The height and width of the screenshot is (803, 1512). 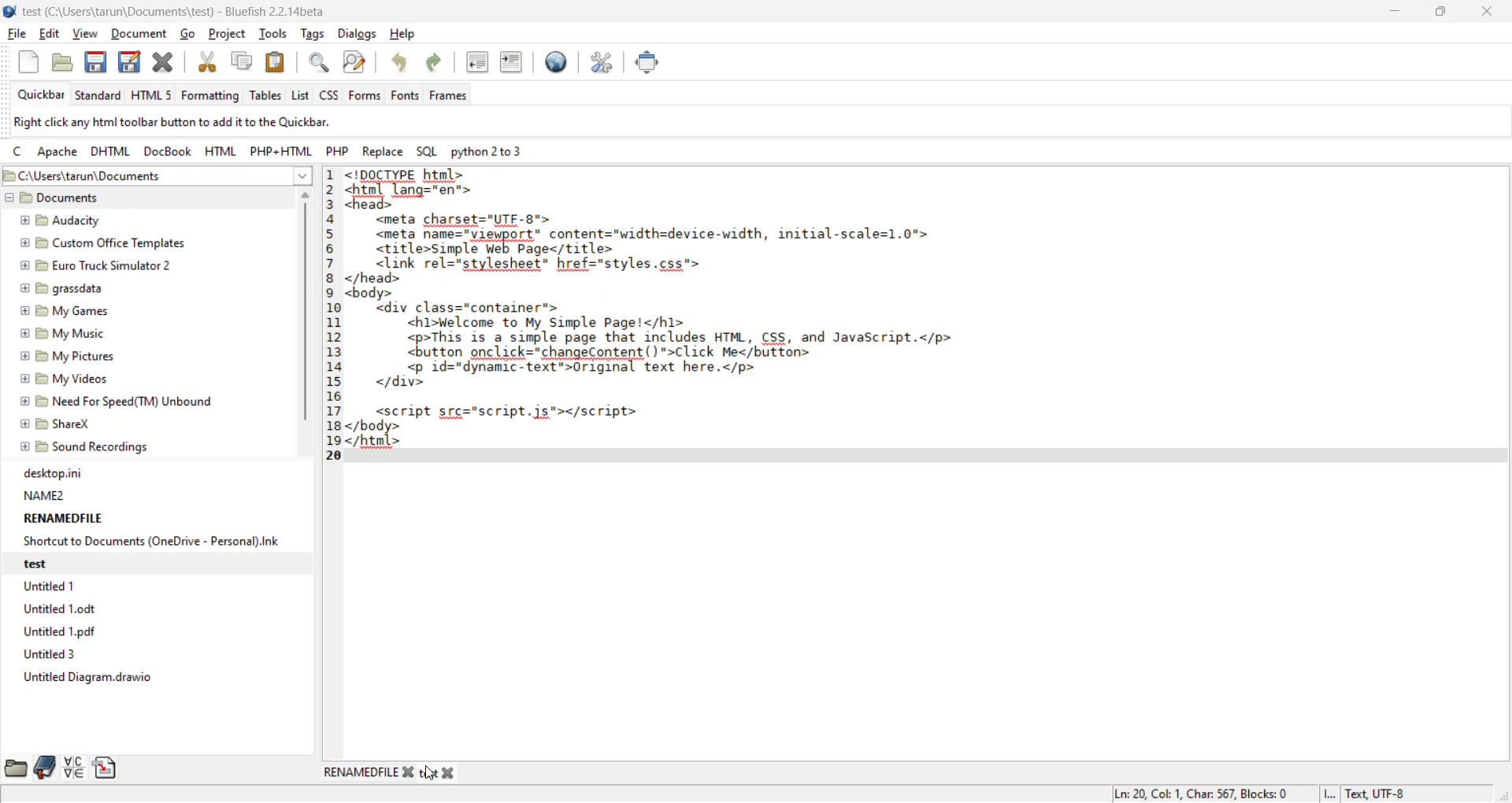 I want to click on tags, so click(x=312, y=34).